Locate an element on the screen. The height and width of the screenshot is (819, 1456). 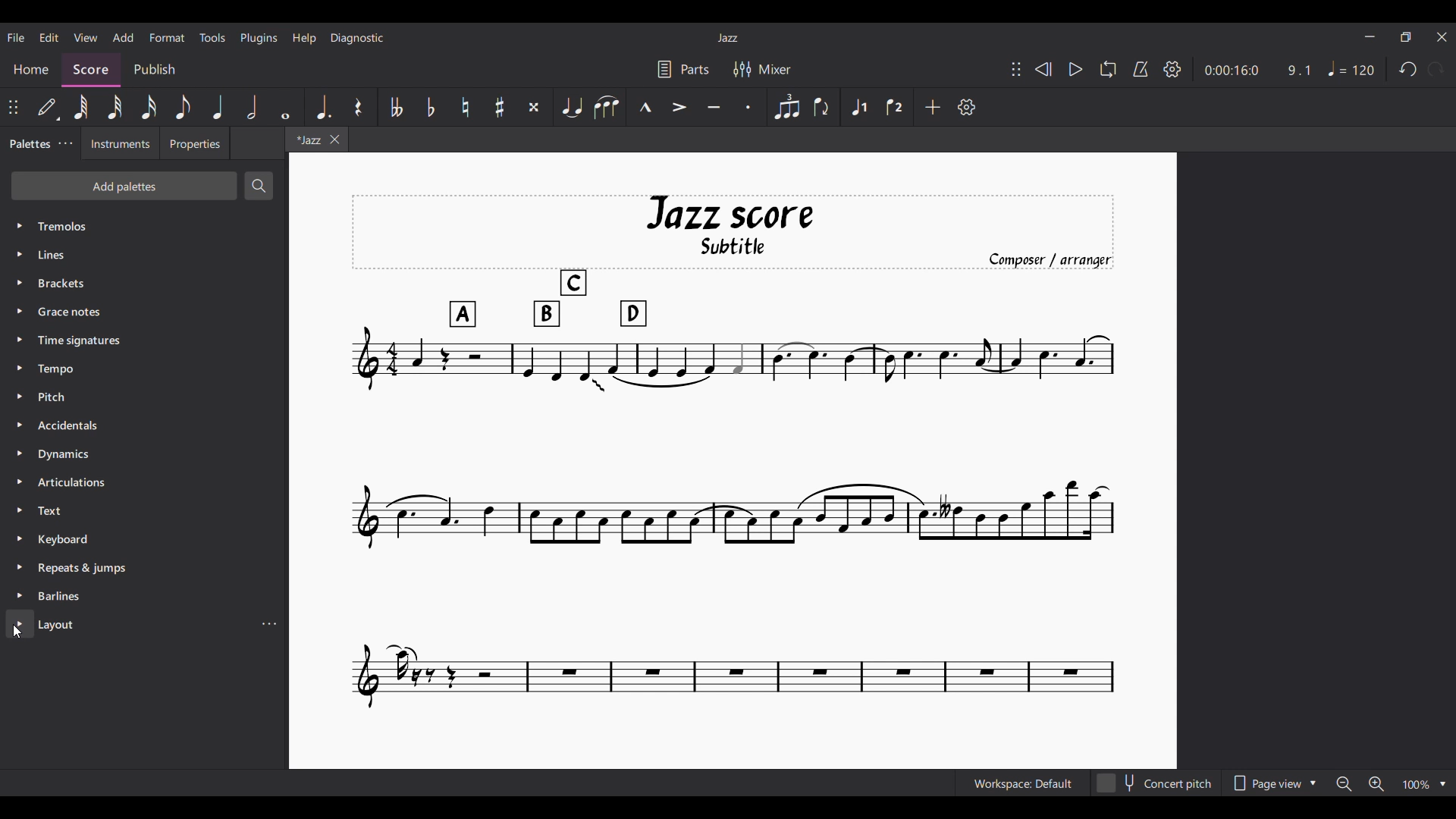
9.1 is located at coordinates (1299, 71).